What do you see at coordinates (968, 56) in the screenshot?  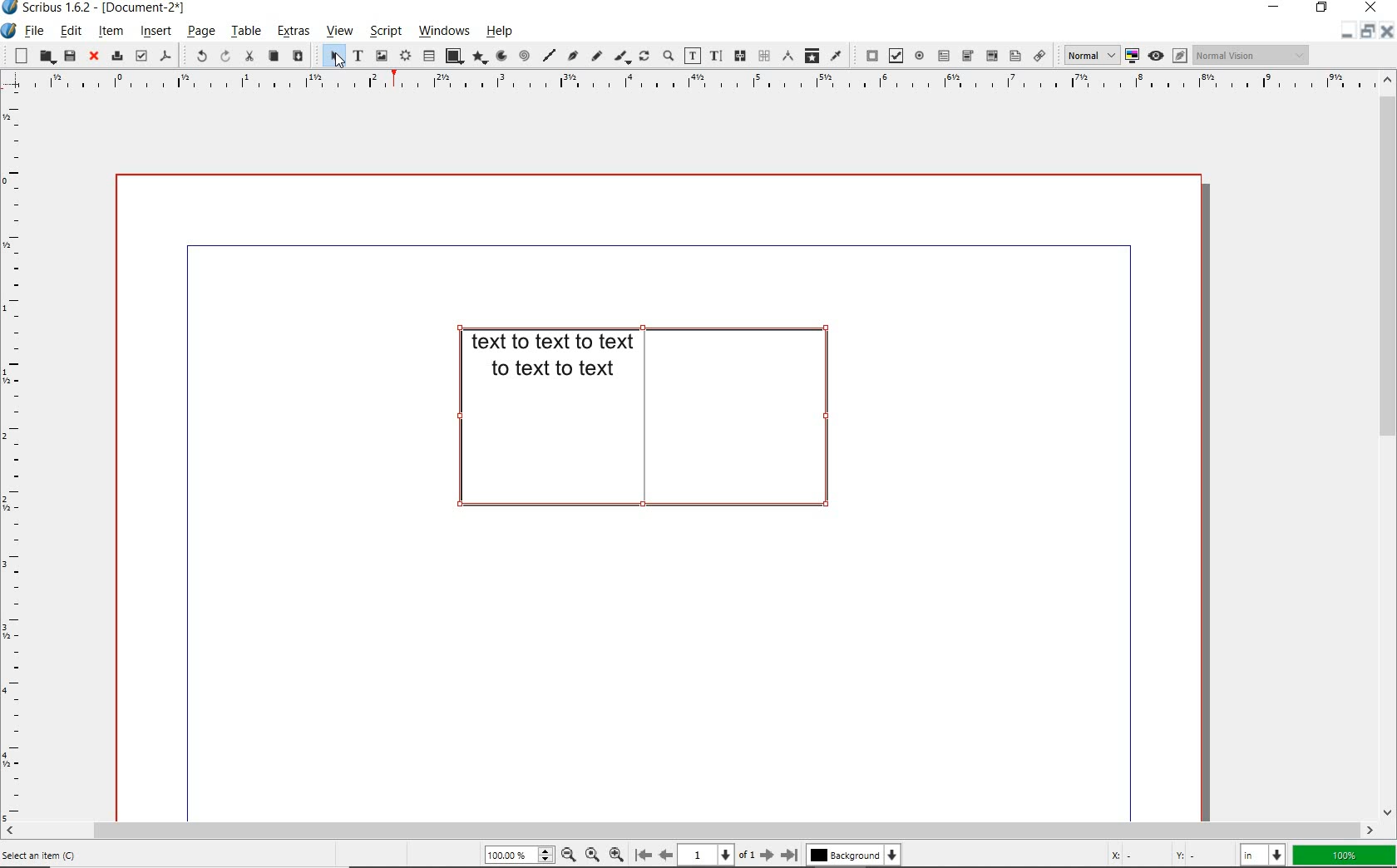 I see `pdf combo box` at bounding box center [968, 56].